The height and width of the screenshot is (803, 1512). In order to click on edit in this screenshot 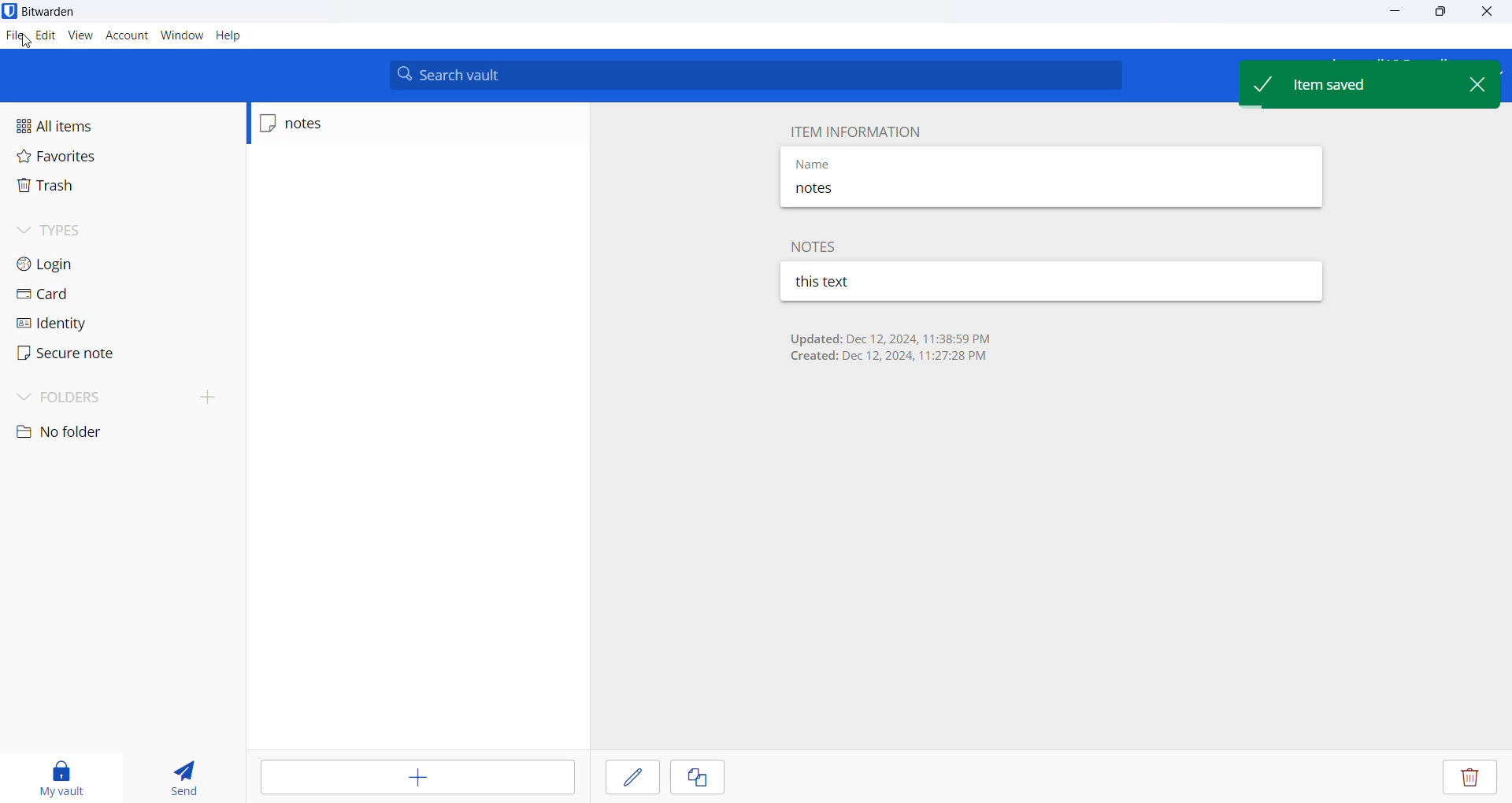, I will do `click(632, 776)`.